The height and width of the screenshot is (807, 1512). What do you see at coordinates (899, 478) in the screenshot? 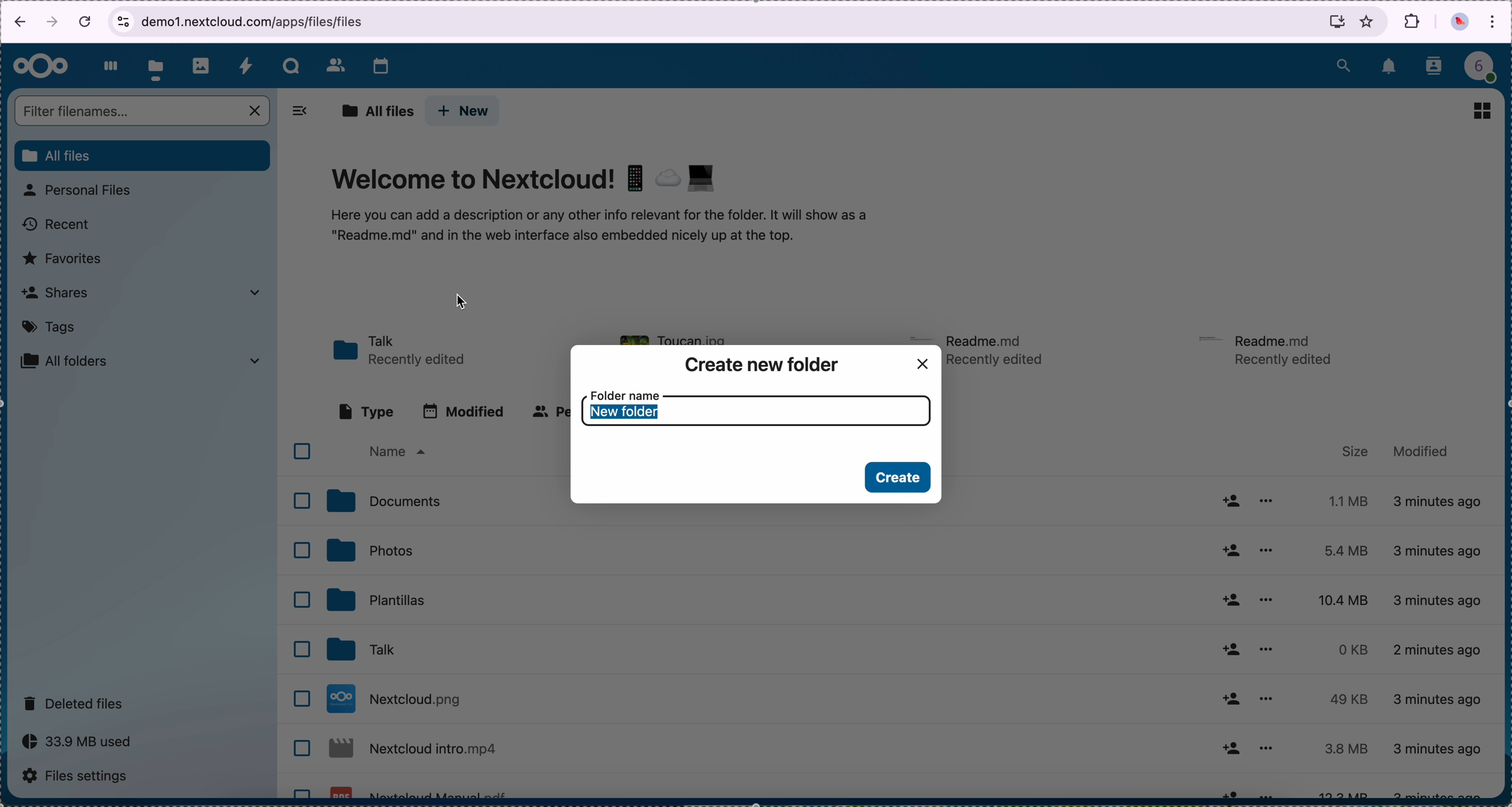
I see `create button` at bounding box center [899, 478].